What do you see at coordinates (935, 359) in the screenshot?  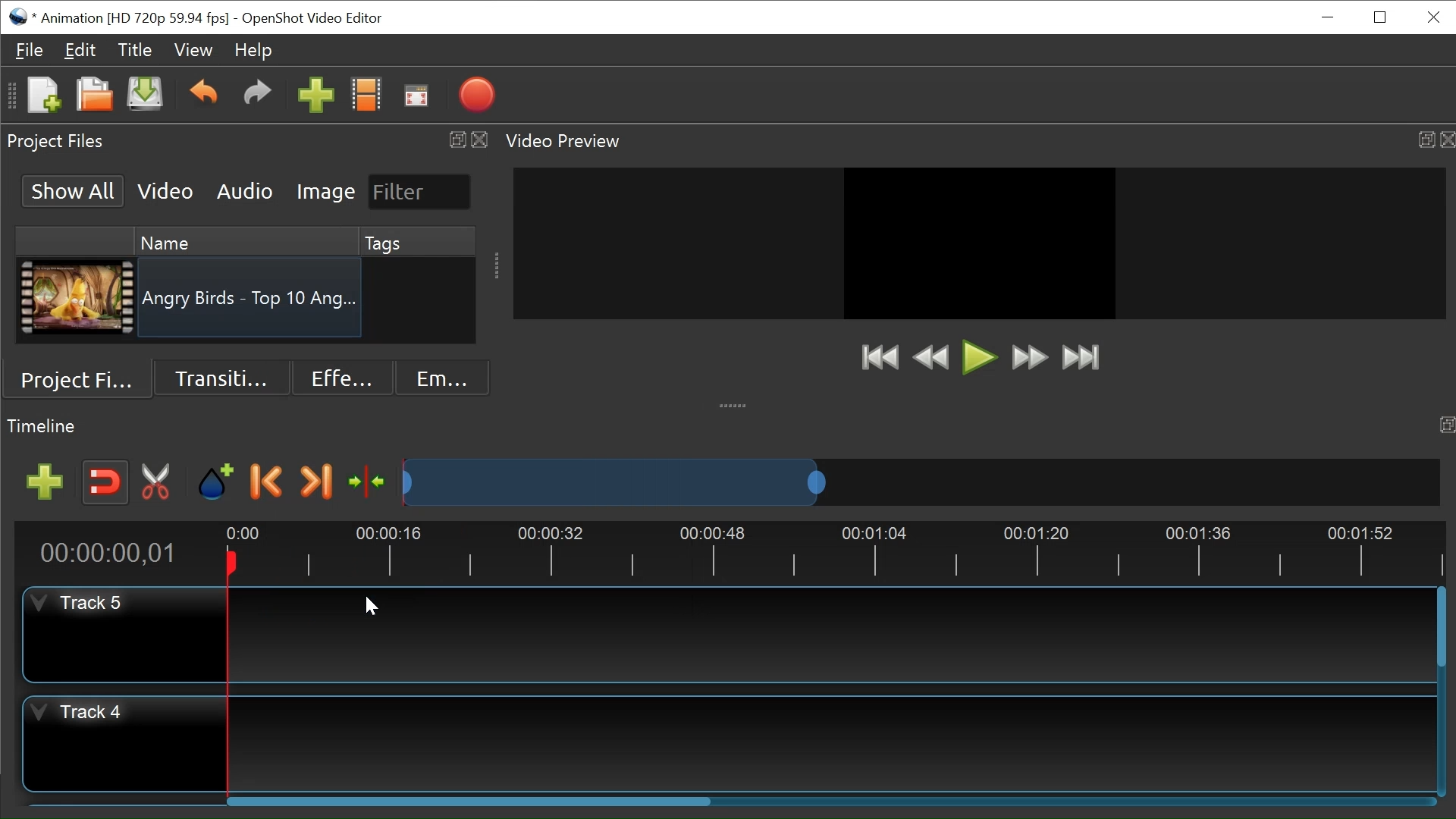 I see `Rewind` at bounding box center [935, 359].